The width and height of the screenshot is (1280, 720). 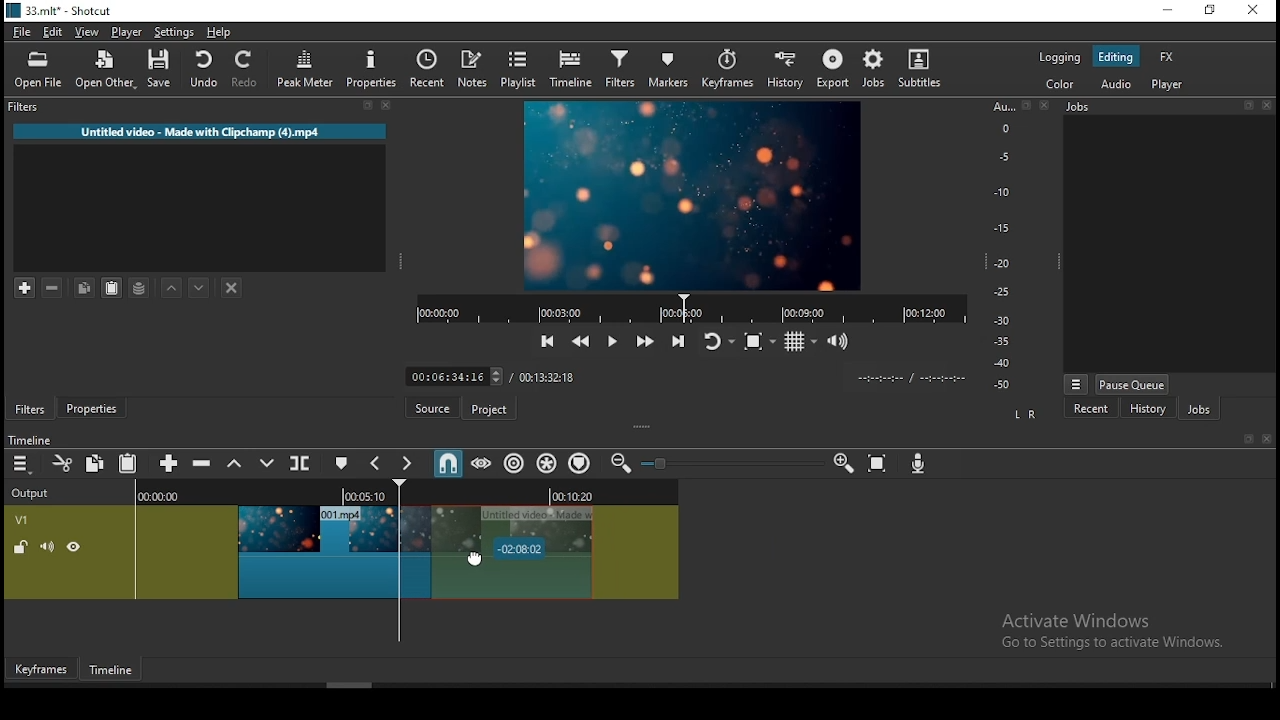 What do you see at coordinates (835, 68) in the screenshot?
I see `export` at bounding box center [835, 68].